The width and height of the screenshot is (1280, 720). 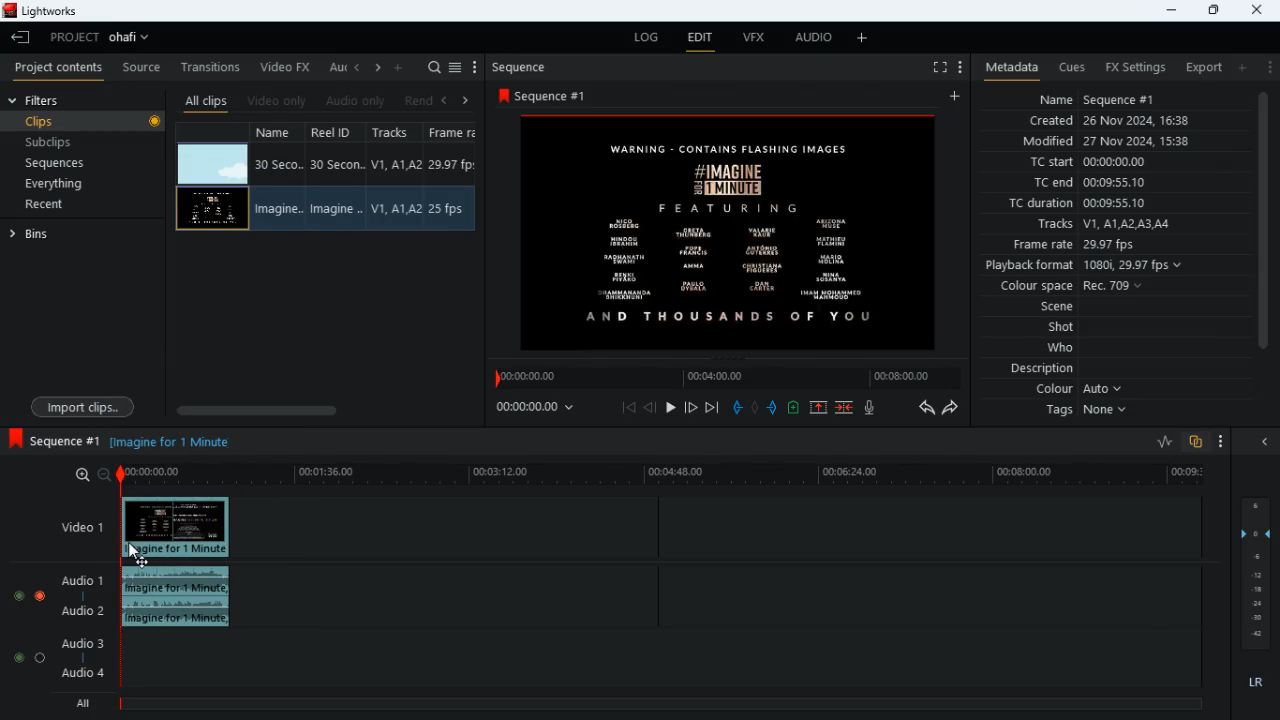 What do you see at coordinates (78, 527) in the screenshot?
I see `video 1` at bounding box center [78, 527].